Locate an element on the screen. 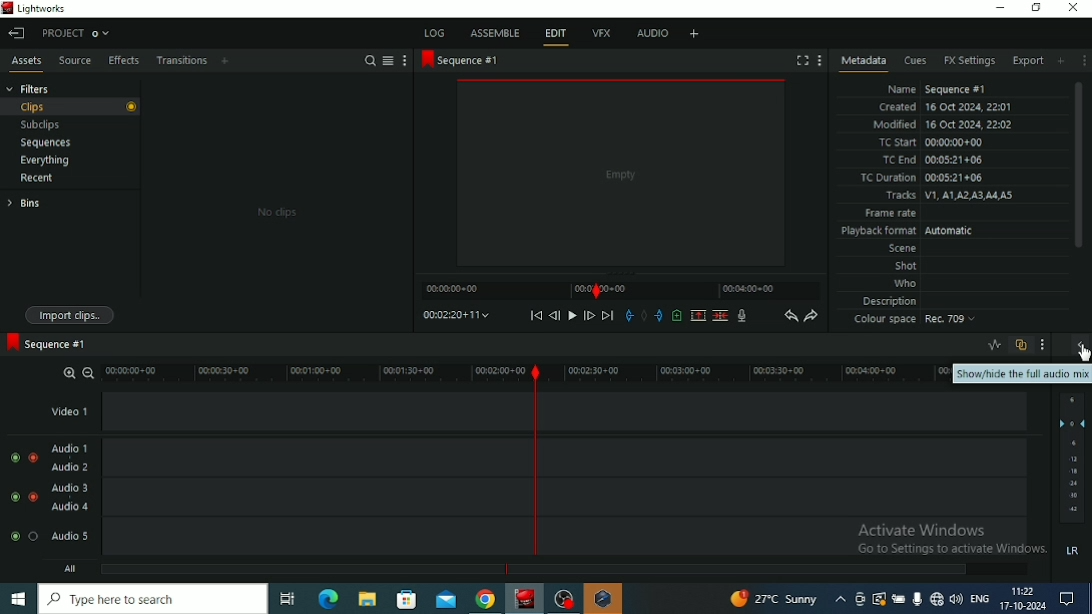 The height and width of the screenshot is (614, 1092). Zoom in is located at coordinates (68, 372).